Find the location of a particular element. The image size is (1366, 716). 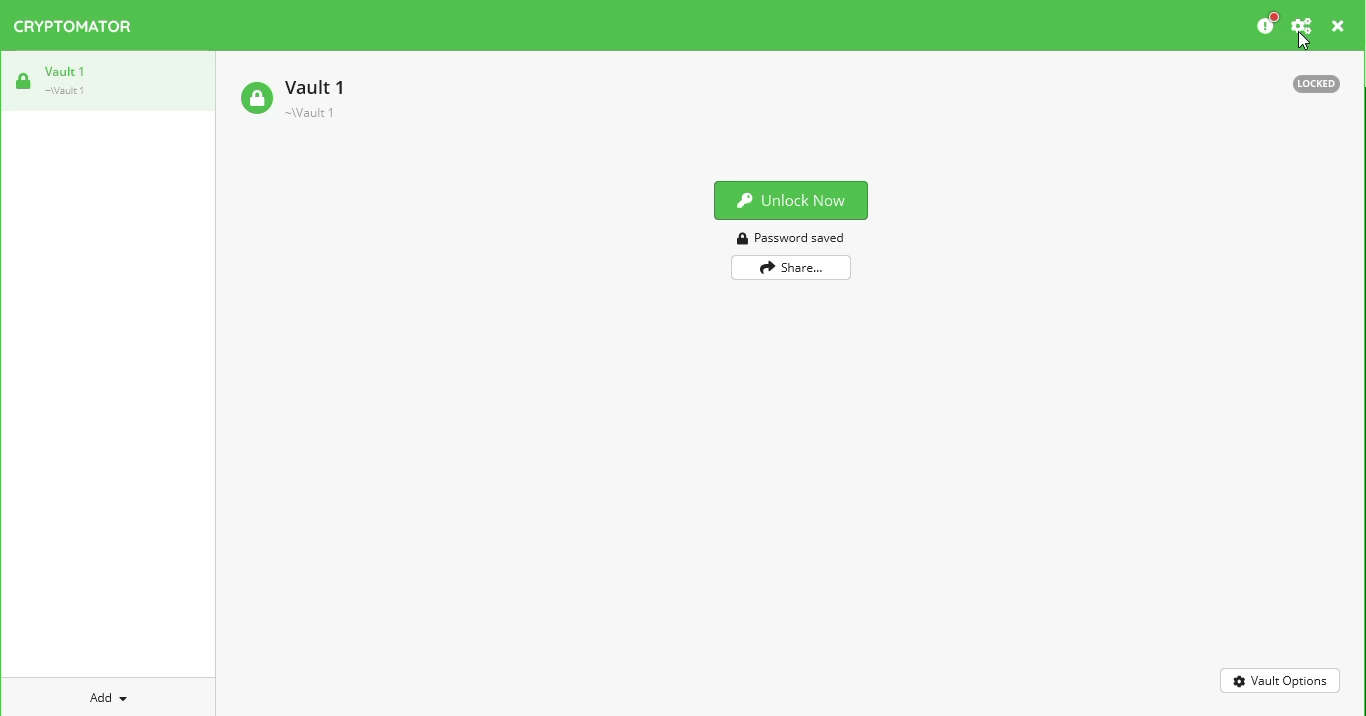

cursor is located at coordinates (1302, 42).